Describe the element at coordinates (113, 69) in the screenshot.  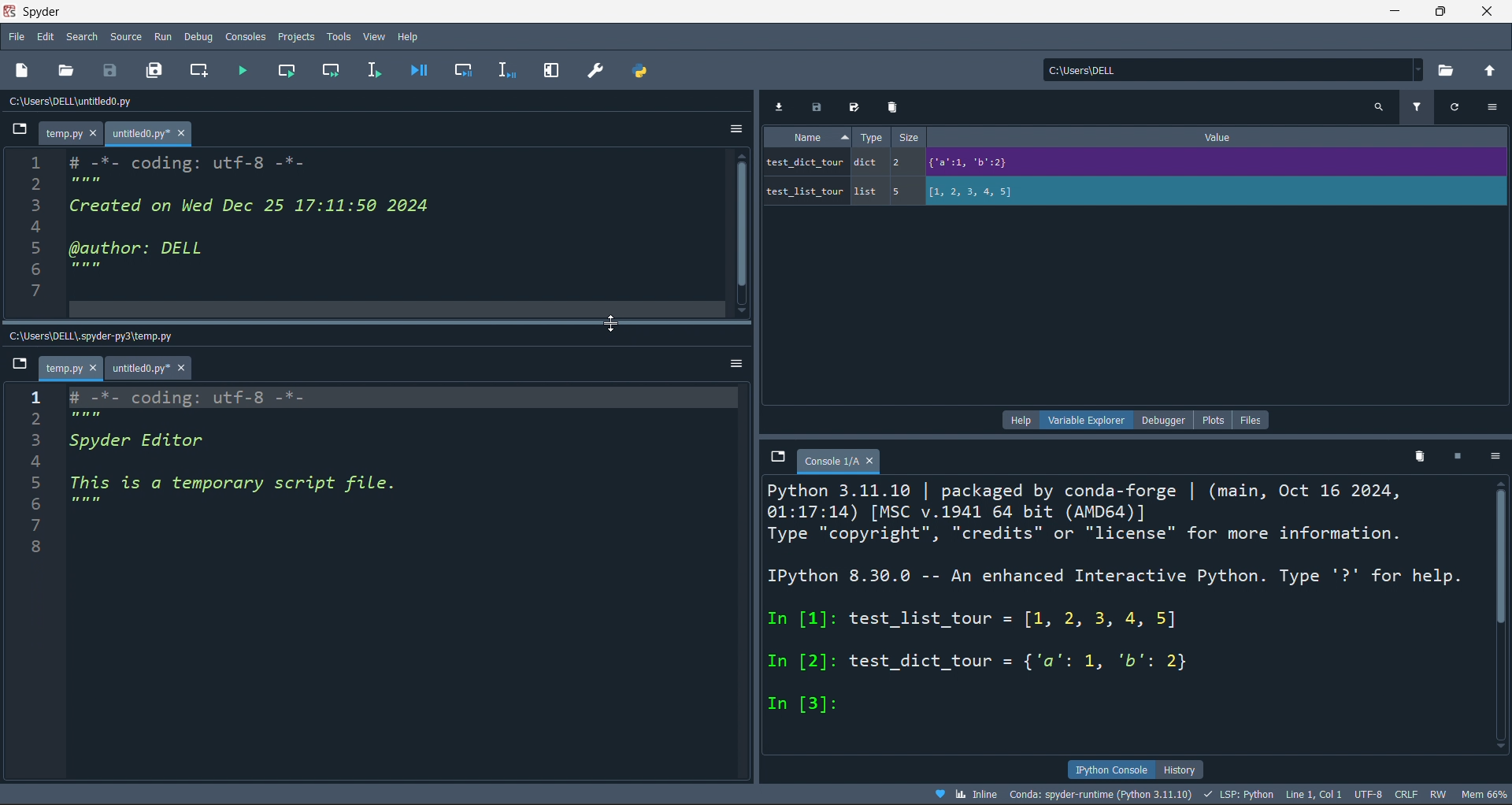
I see `SAVE` at that location.